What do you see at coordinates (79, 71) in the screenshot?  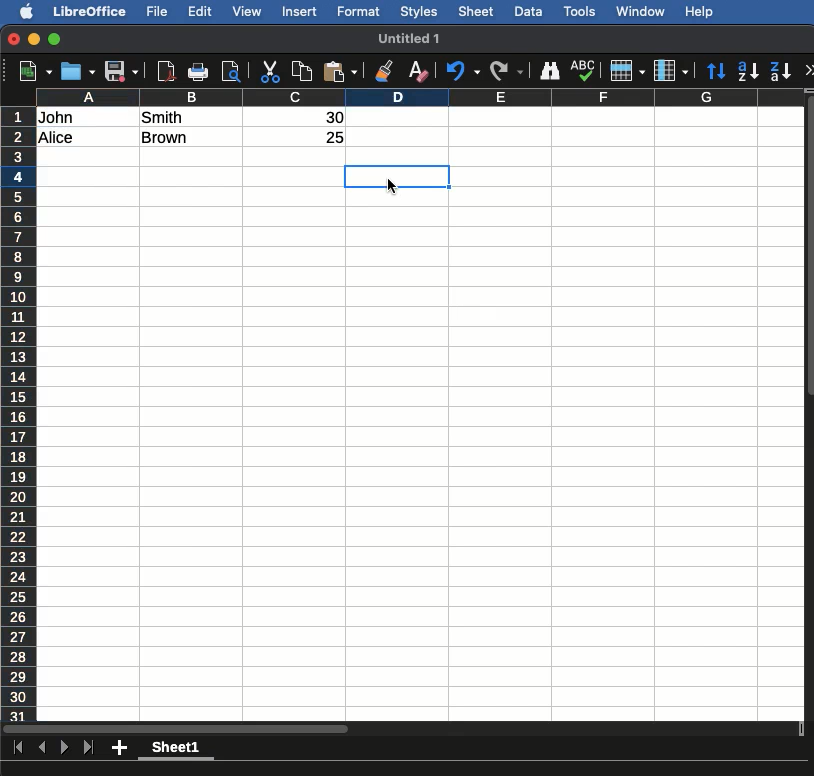 I see `Open` at bounding box center [79, 71].